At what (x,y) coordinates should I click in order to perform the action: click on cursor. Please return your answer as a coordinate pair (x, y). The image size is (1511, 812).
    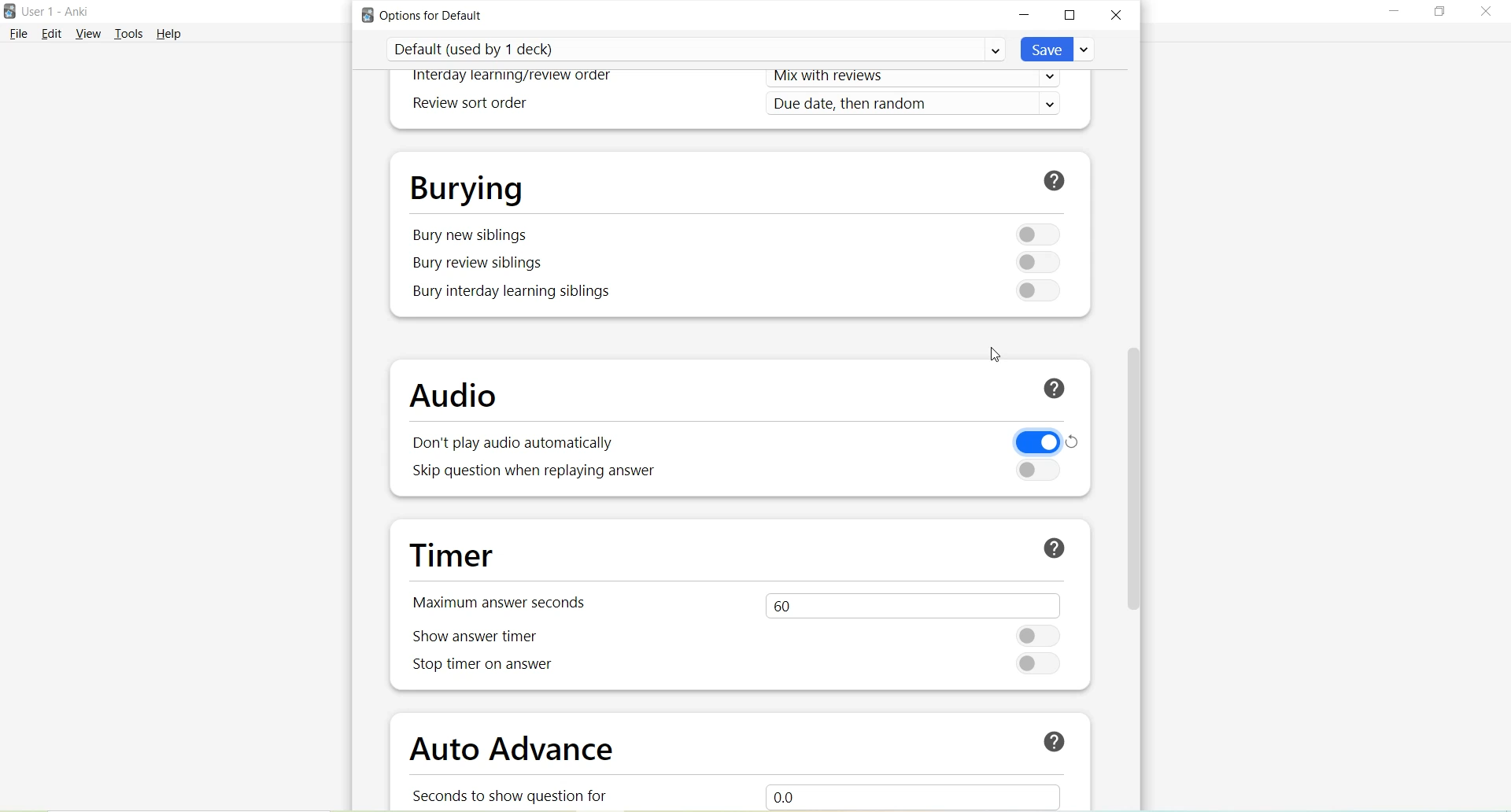
    Looking at the image, I should click on (998, 352).